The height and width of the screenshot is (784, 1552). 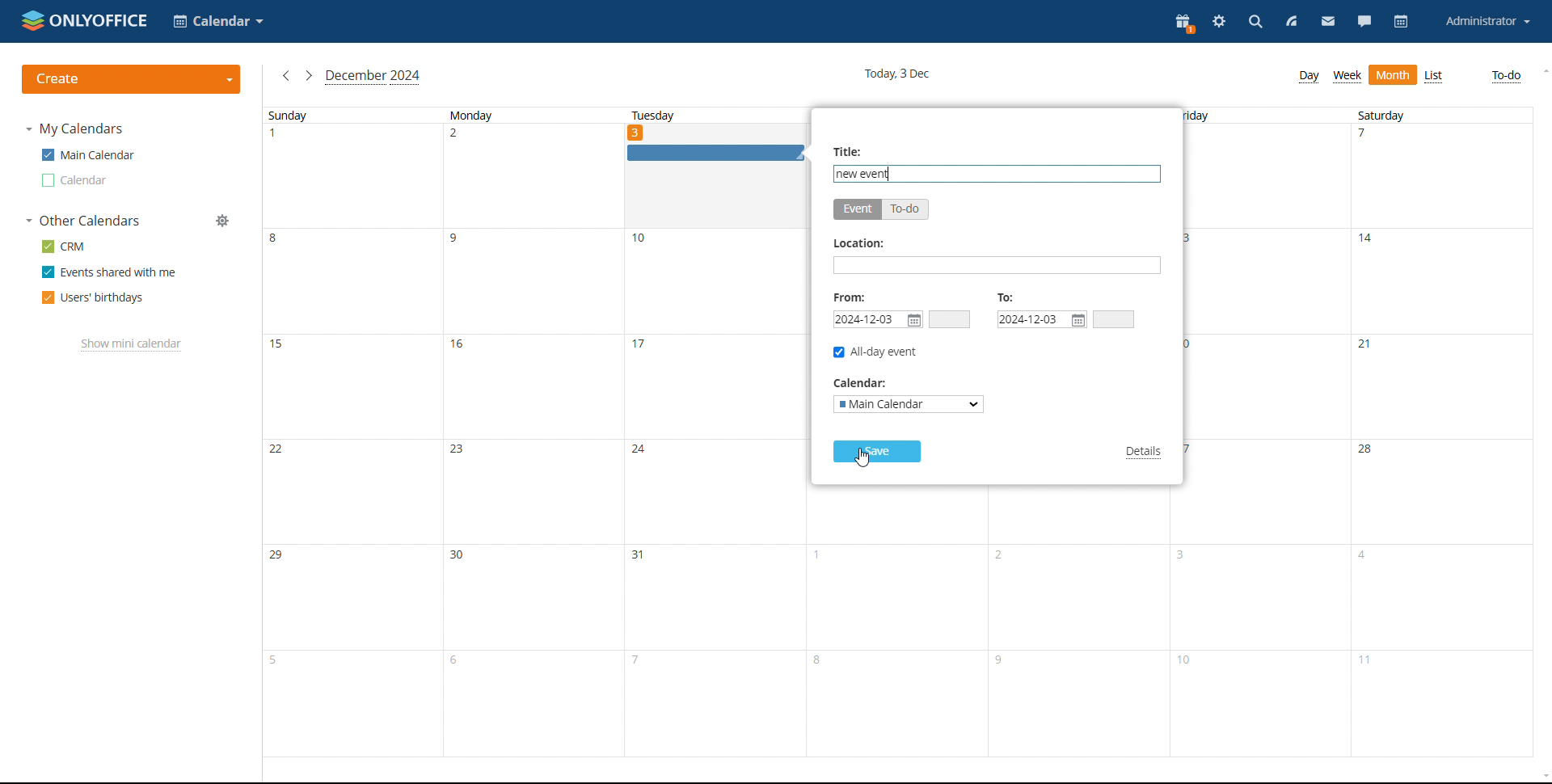 What do you see at coordinates (349, 432) in the screenshot?
I see `sunday` at bounding box center [349, 432].